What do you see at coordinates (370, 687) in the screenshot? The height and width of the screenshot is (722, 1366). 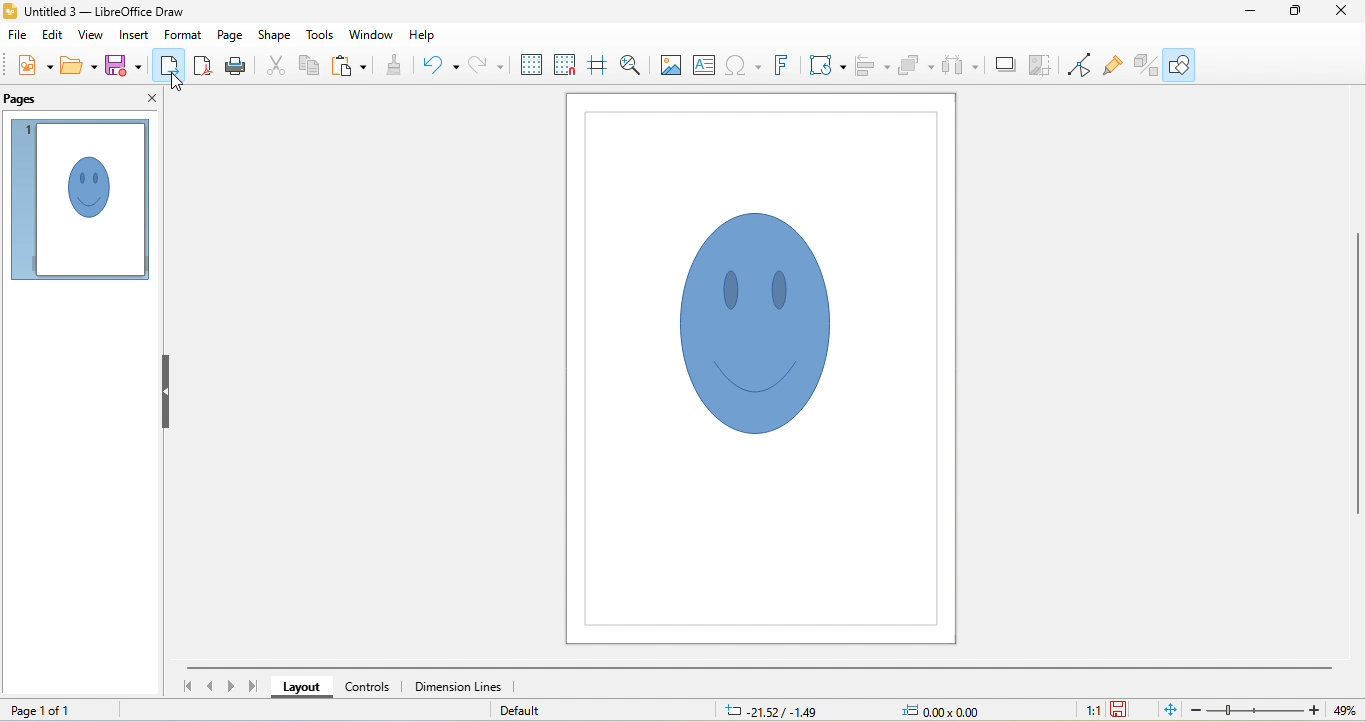 I see `controls` at bounding box center [370, 687].